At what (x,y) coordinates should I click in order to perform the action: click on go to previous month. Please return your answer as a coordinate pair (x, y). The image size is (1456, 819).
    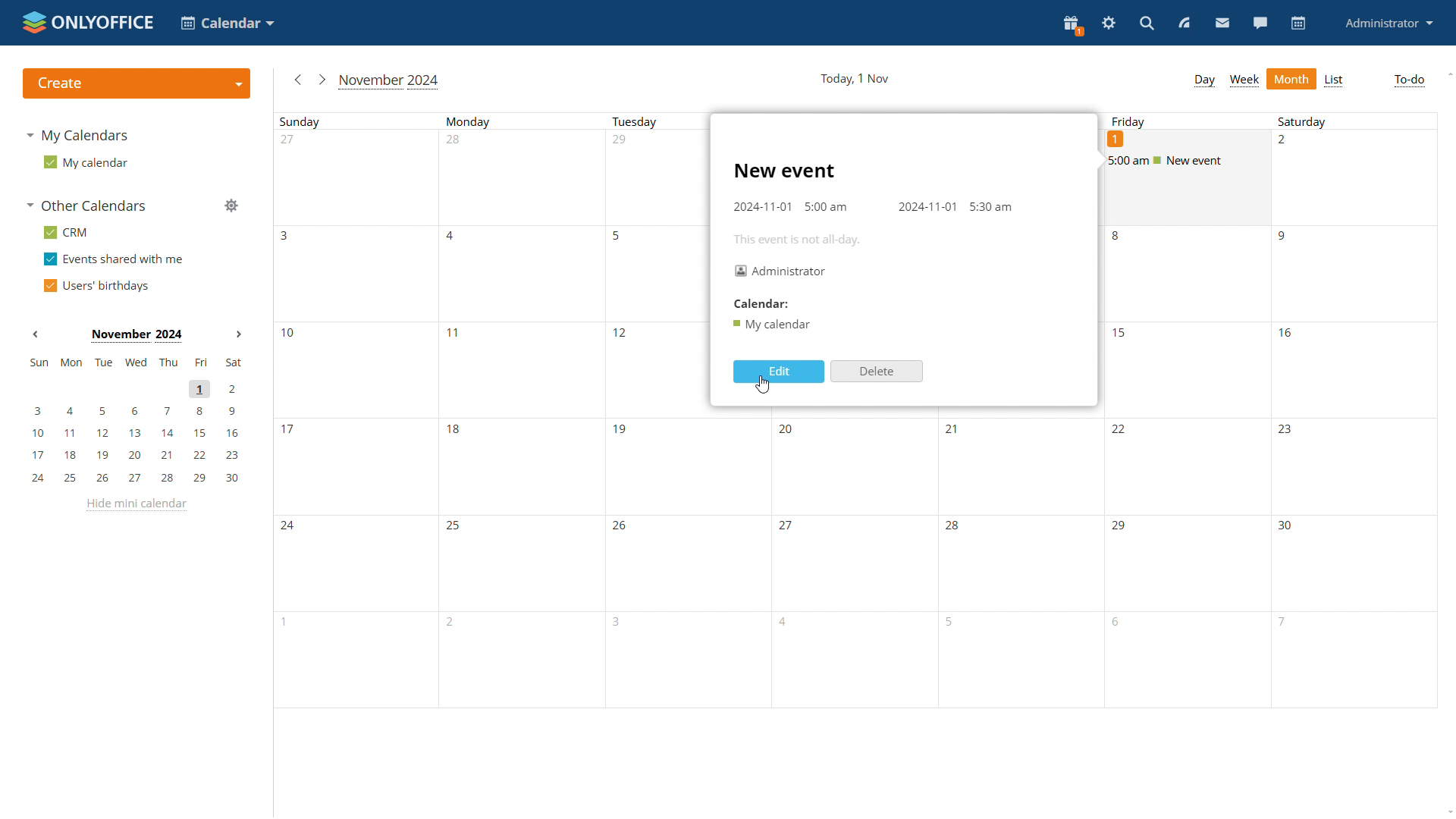
    Looking at the image, I should click on (297, 80).